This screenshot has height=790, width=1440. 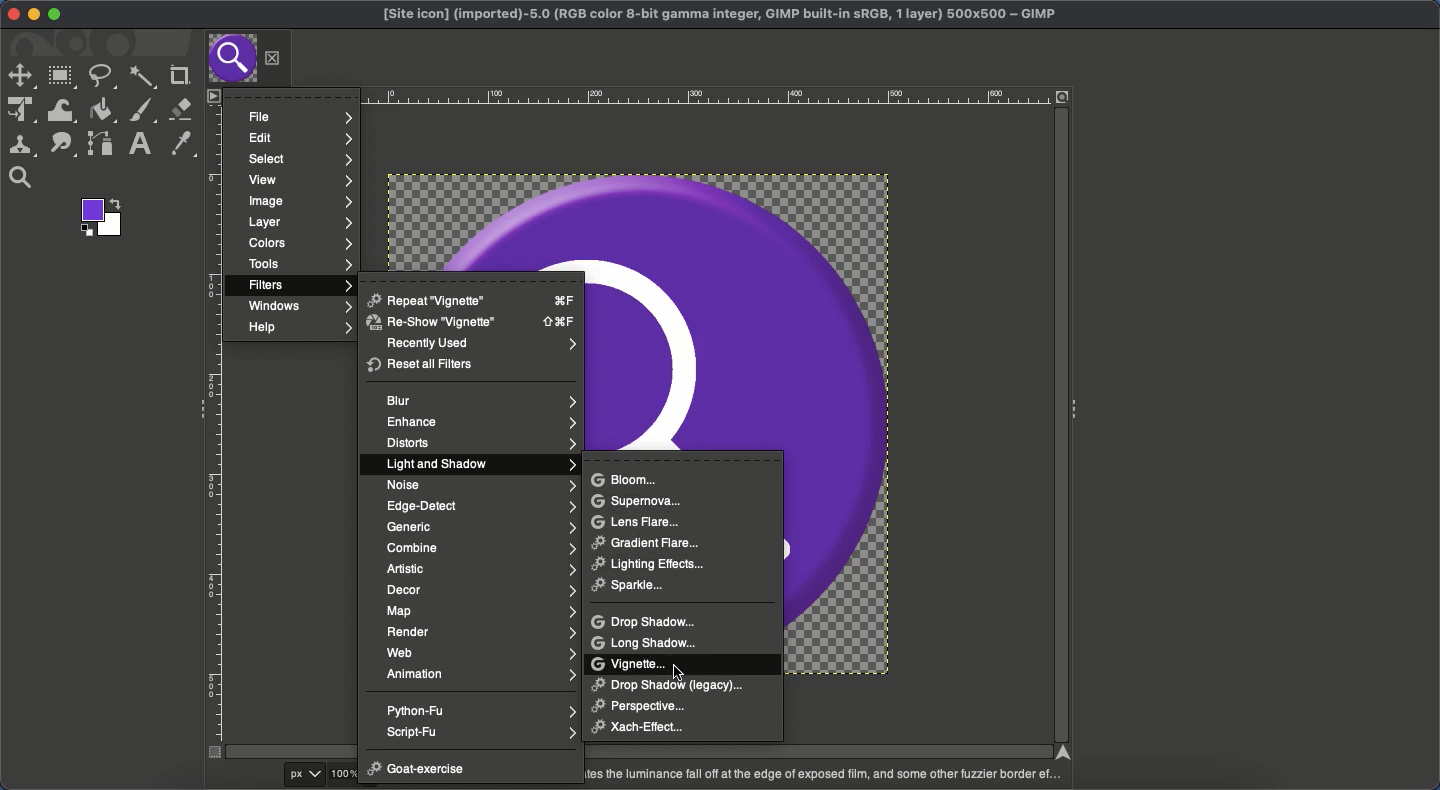 I want to click on Web, so click(x=484, y=653).